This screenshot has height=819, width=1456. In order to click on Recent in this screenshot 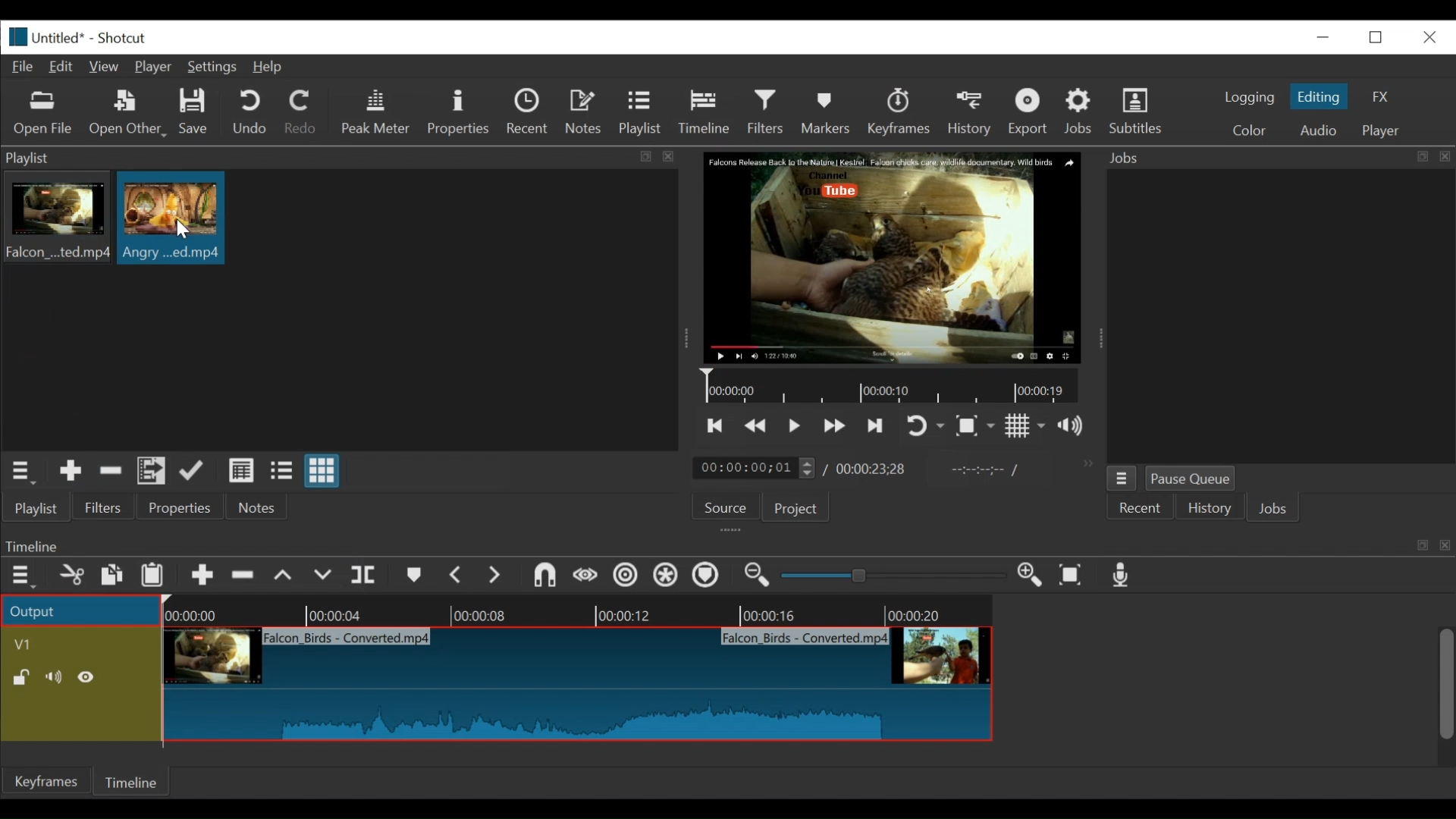, I will do `click(1141, 509)`.